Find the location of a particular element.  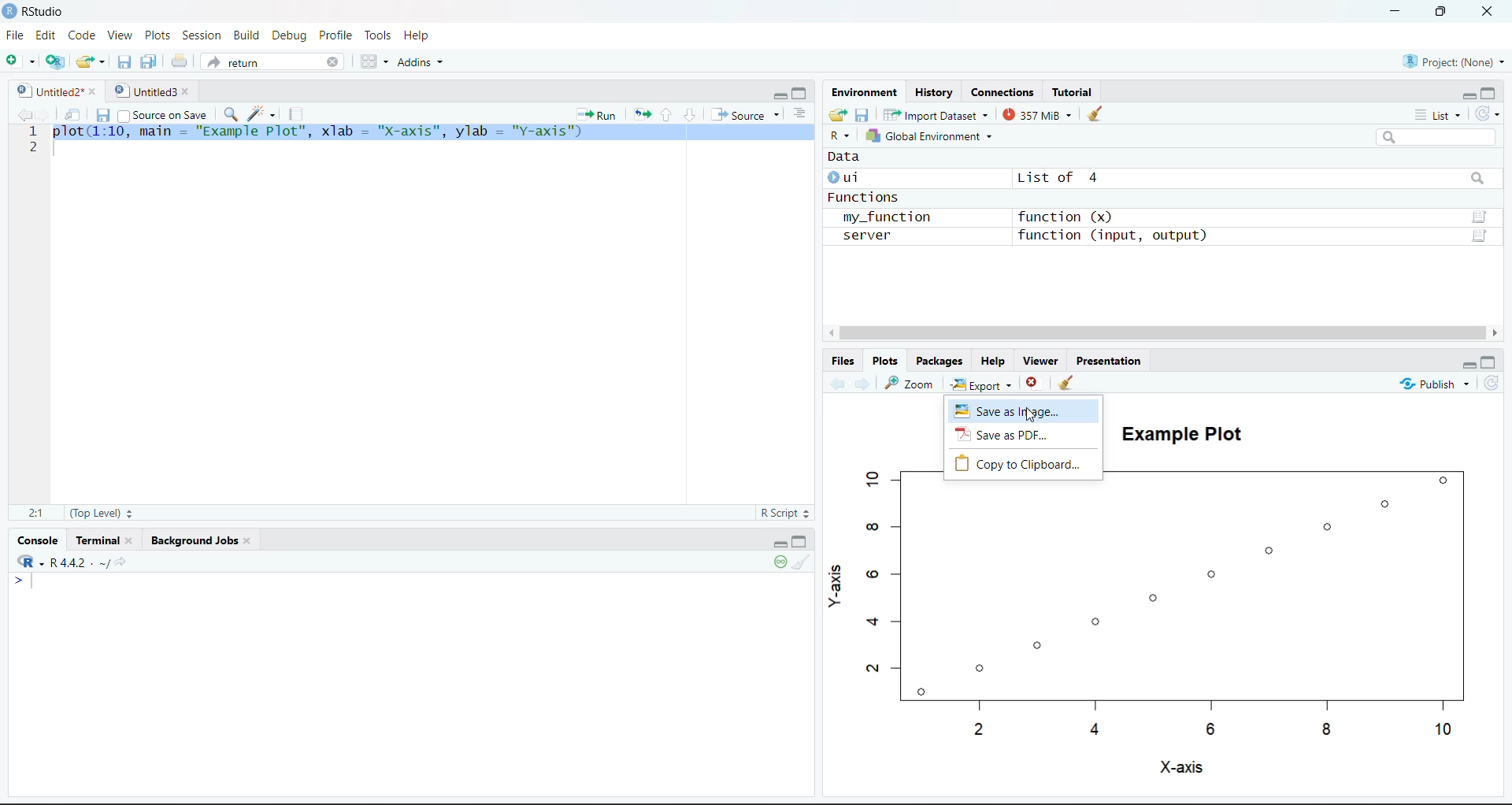

Build is located at coordinates (246, 34).